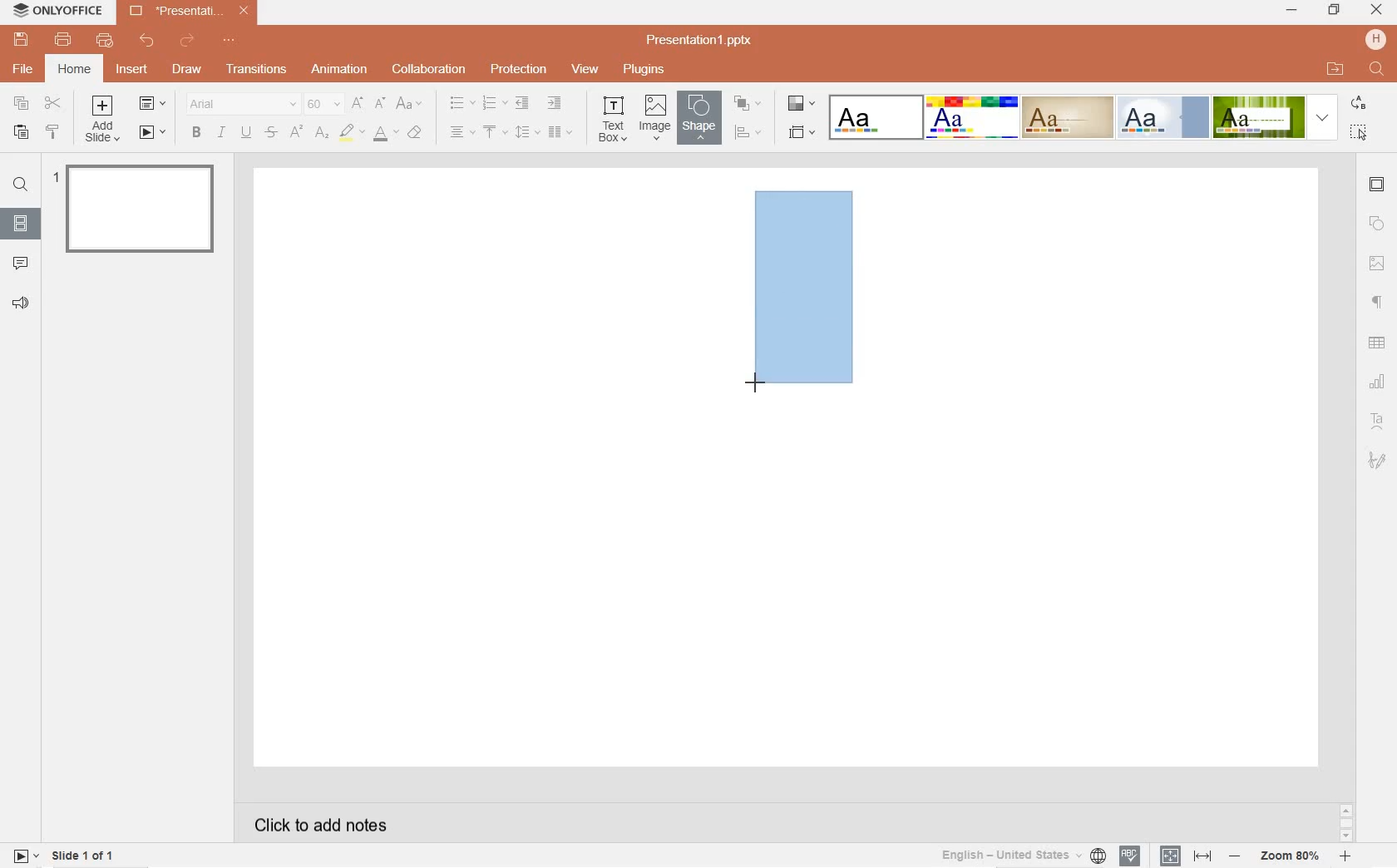 This screenshot has width=1397, height=868. What do you see at coordinates (135, 74) in the screenshot?
I see `insert` at bounding box center [135, 74].